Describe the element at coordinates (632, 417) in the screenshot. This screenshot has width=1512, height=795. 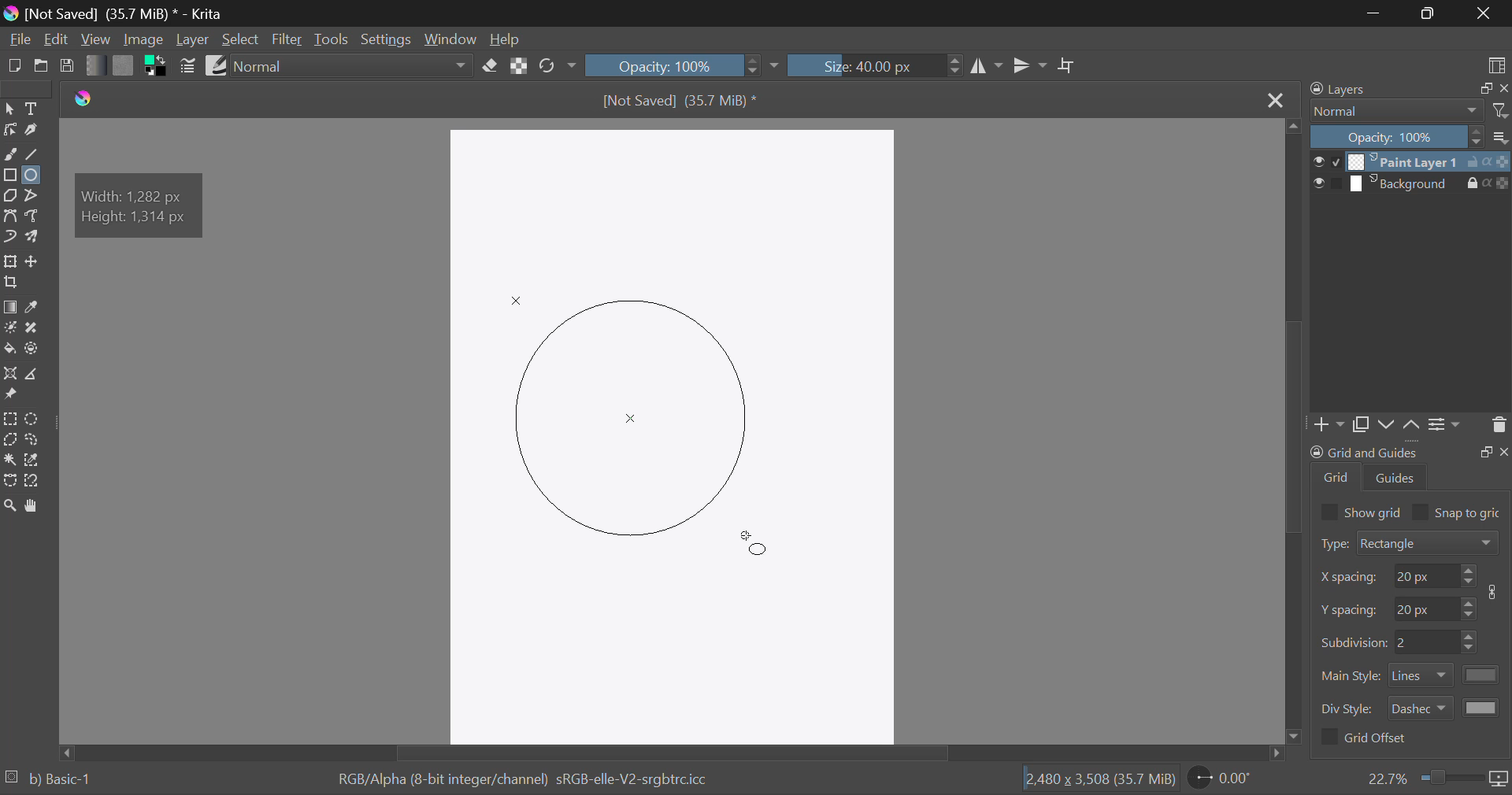
I see `Mock Shape Generated` at that location.